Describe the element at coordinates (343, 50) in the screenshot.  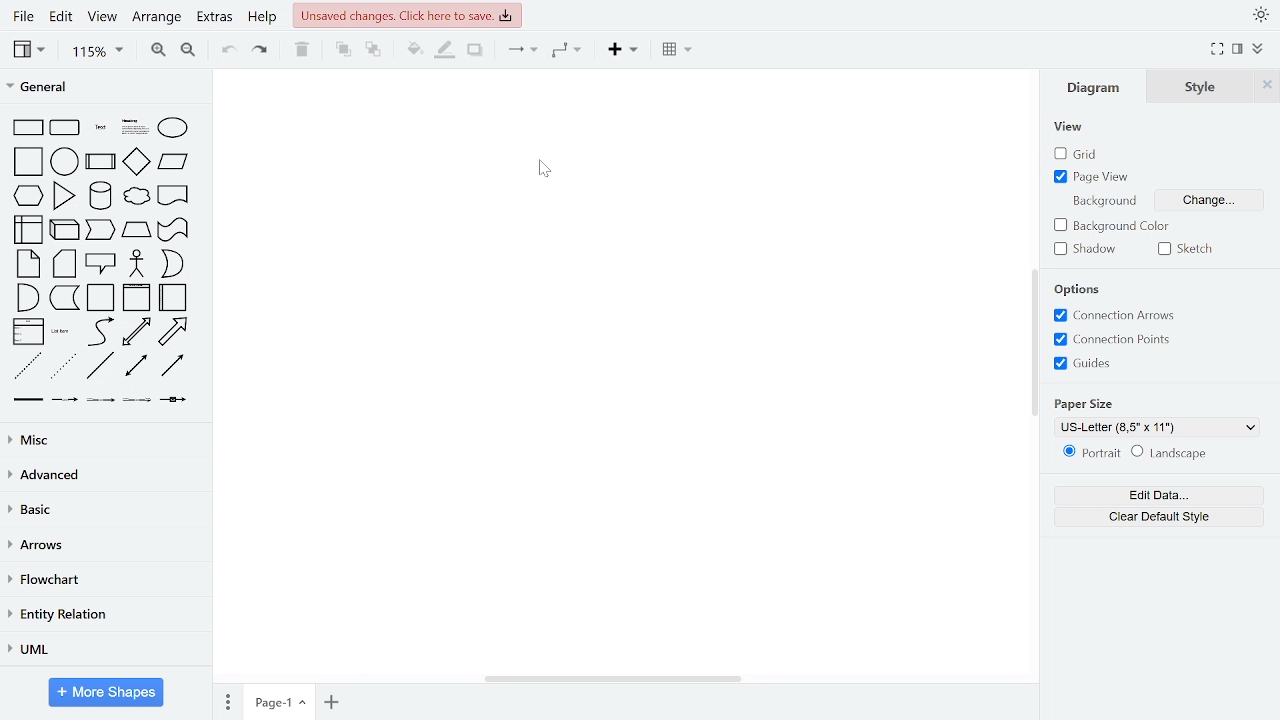
I see `to front` at that location.